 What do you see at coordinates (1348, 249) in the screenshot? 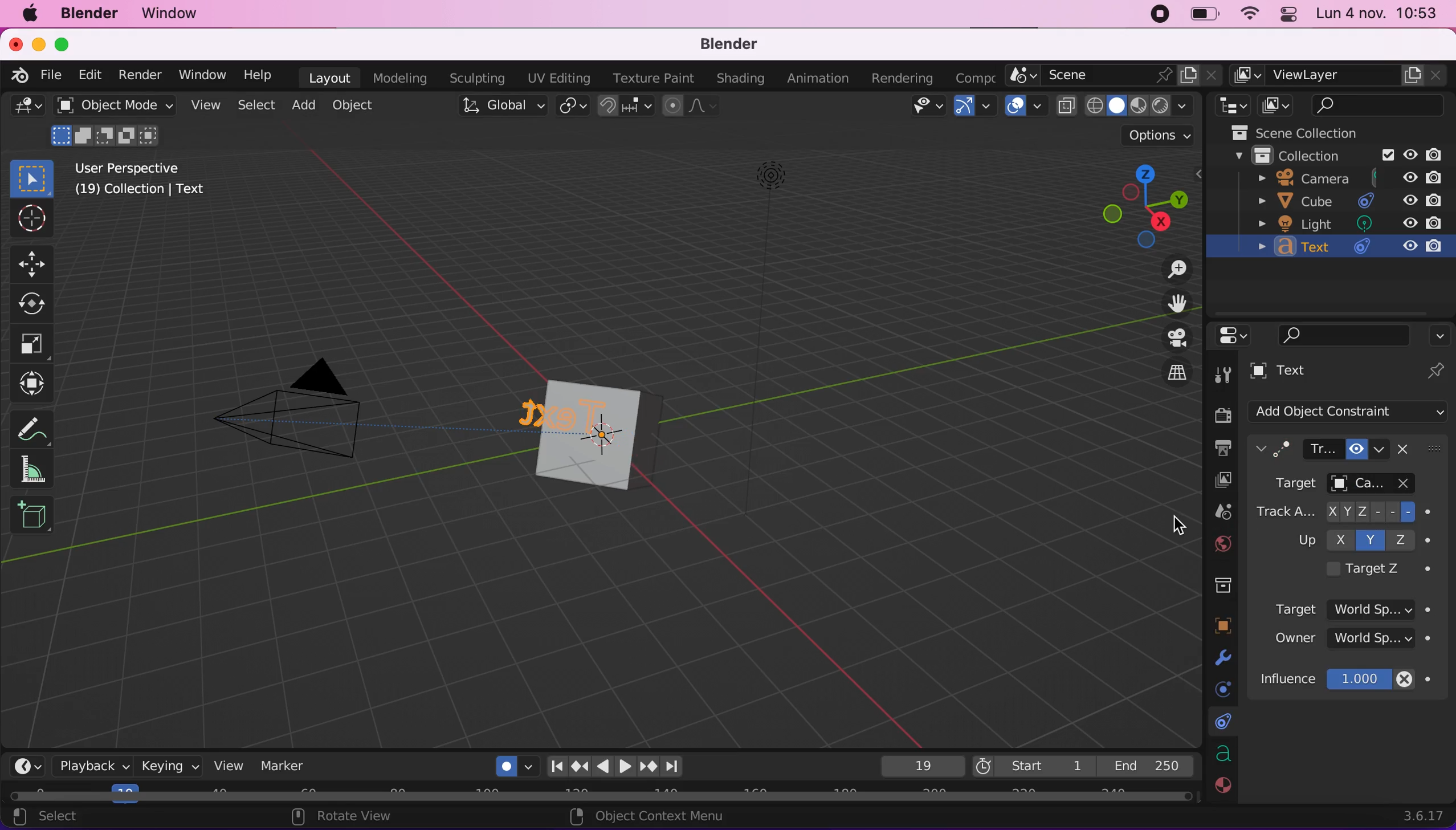
I see `text` at bounding box center [1348, 249].